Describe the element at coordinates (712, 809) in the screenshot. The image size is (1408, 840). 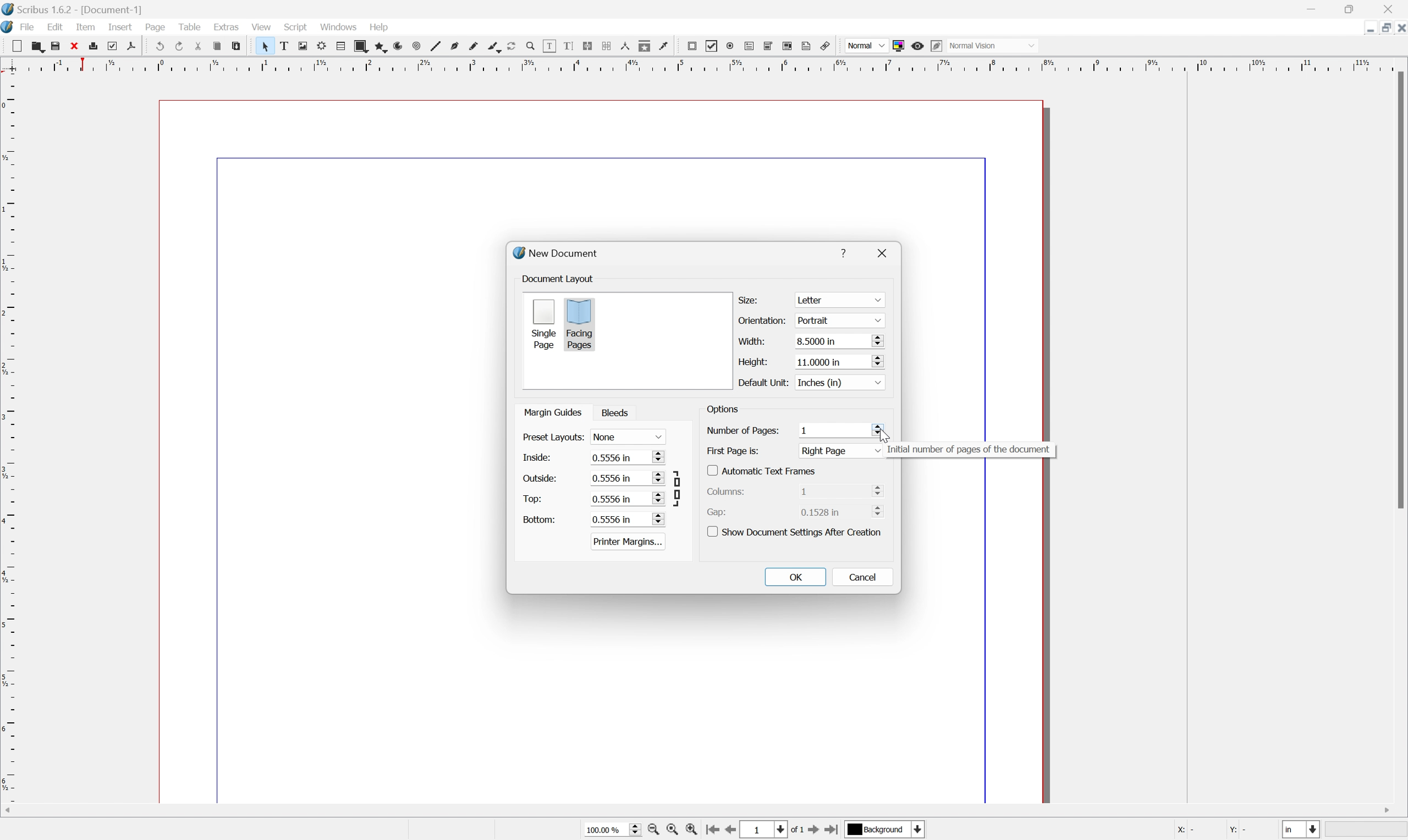
I see `Scroll bar` at that location.